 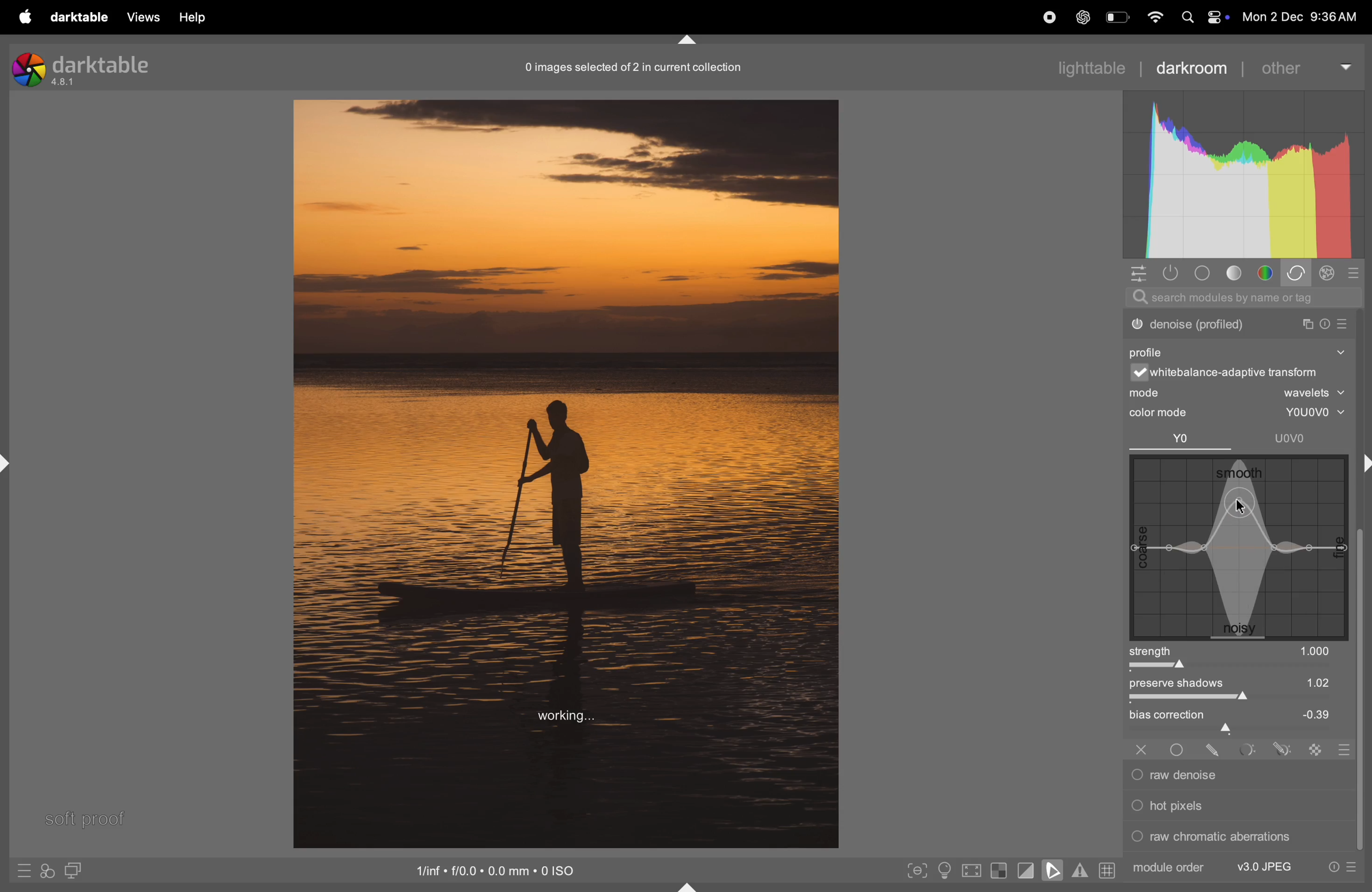 I want to click on show ony active modules, so click(x=1173, y=273).